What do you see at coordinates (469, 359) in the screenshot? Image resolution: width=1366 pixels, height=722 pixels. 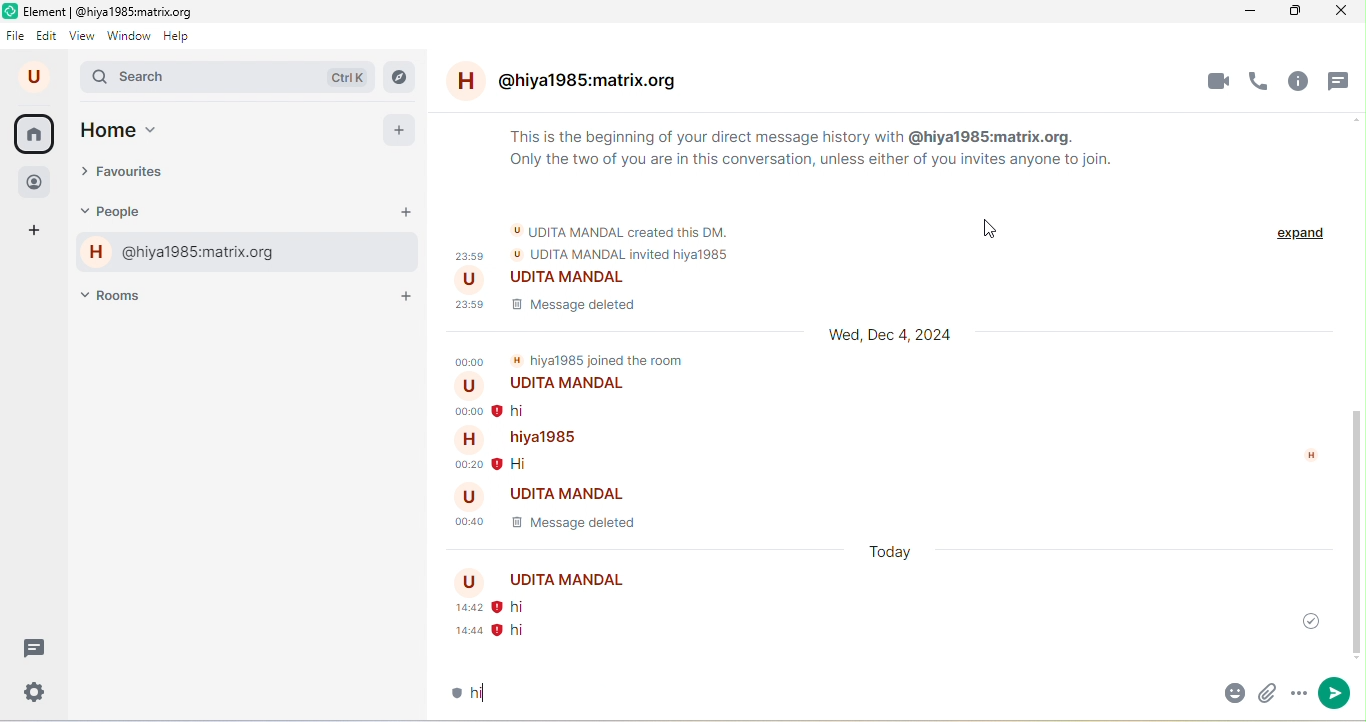 I see `00.00` at bounding box center [469, 359].